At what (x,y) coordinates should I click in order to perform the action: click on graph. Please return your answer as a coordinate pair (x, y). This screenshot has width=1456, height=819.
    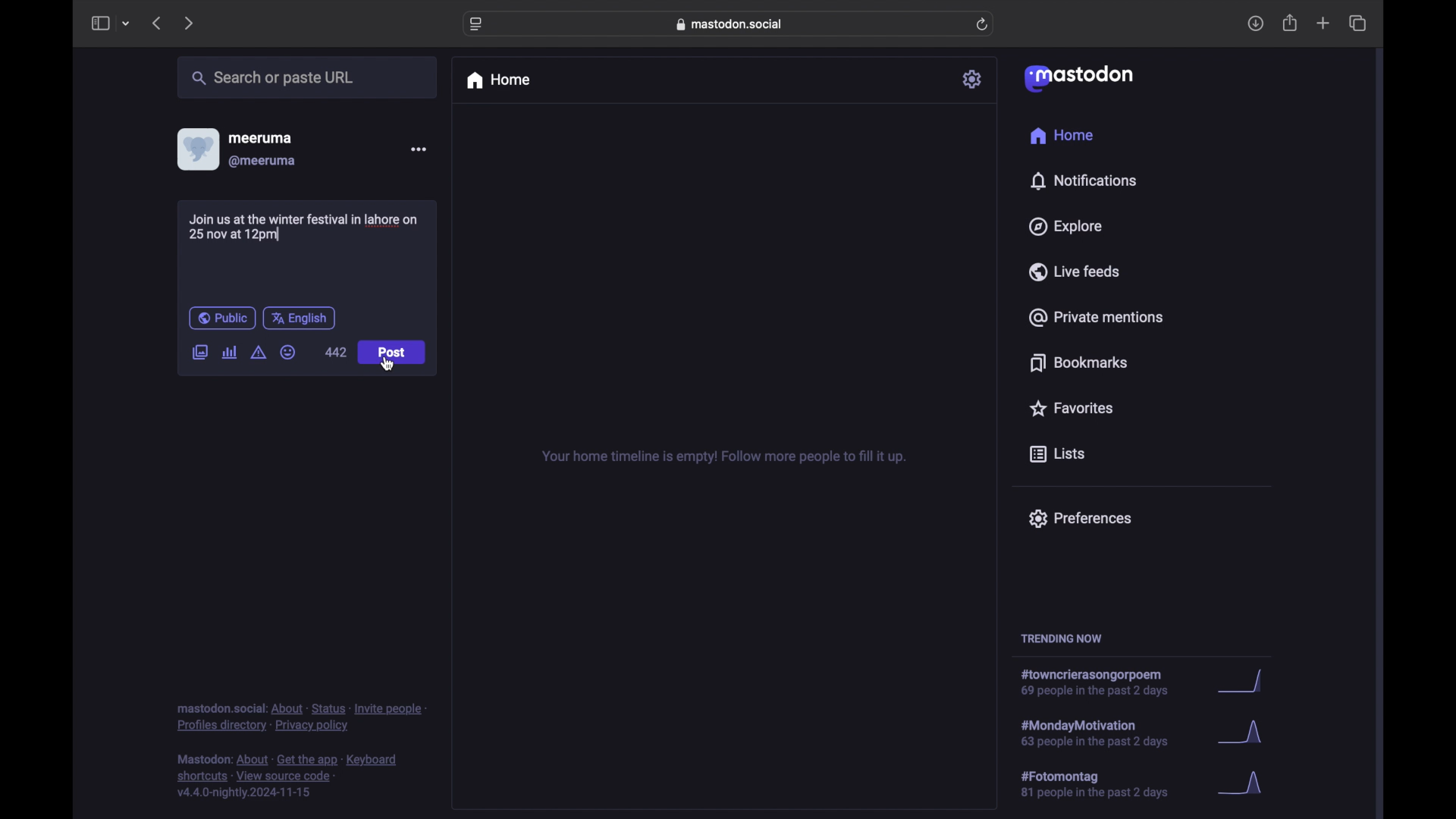
    Looking at the image, I should click on (1244, 682).